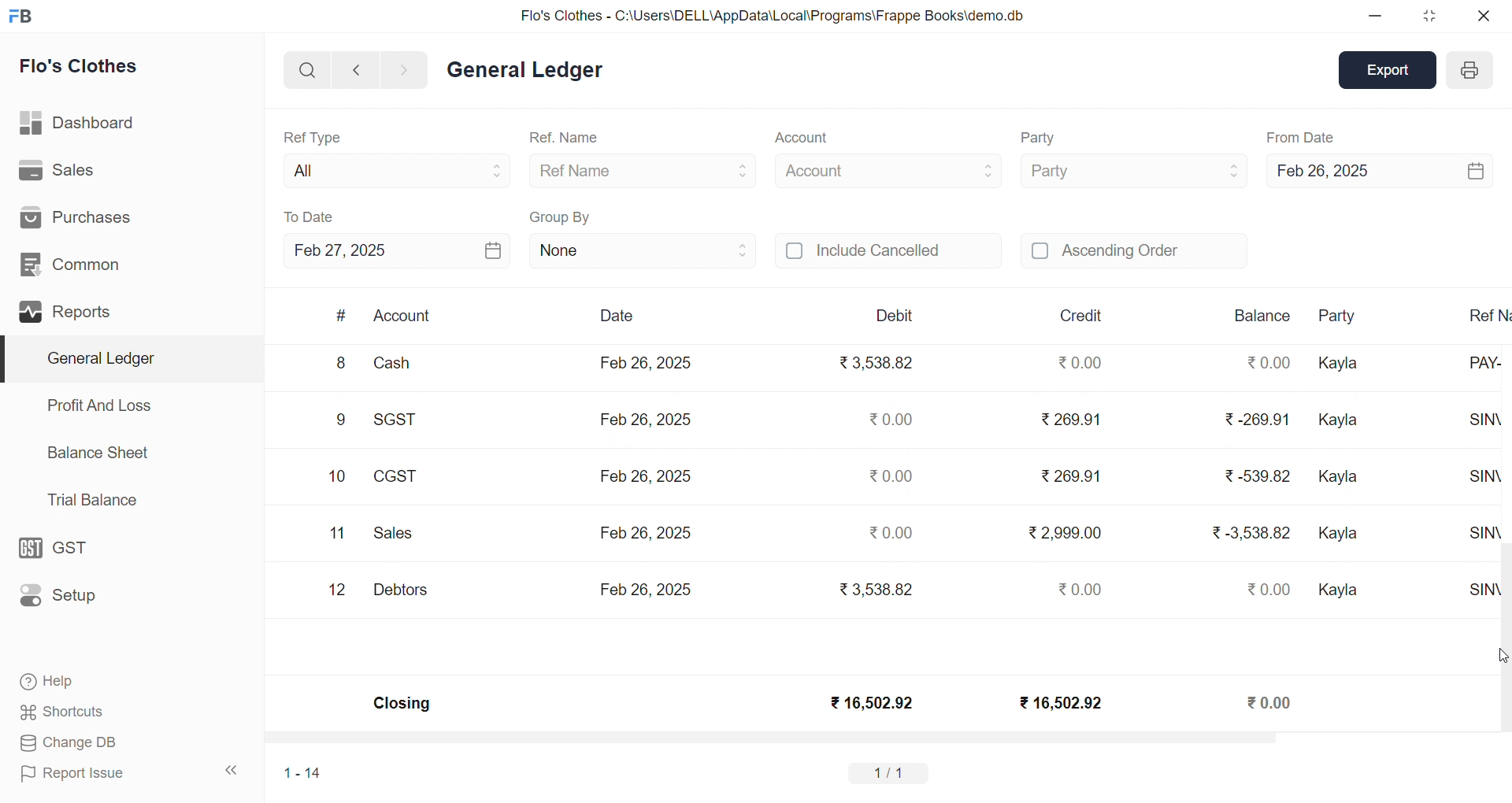  What do you see at coordinates (53, 683) in the screenshot?
I see `Help` at bounding box center [53, 683].